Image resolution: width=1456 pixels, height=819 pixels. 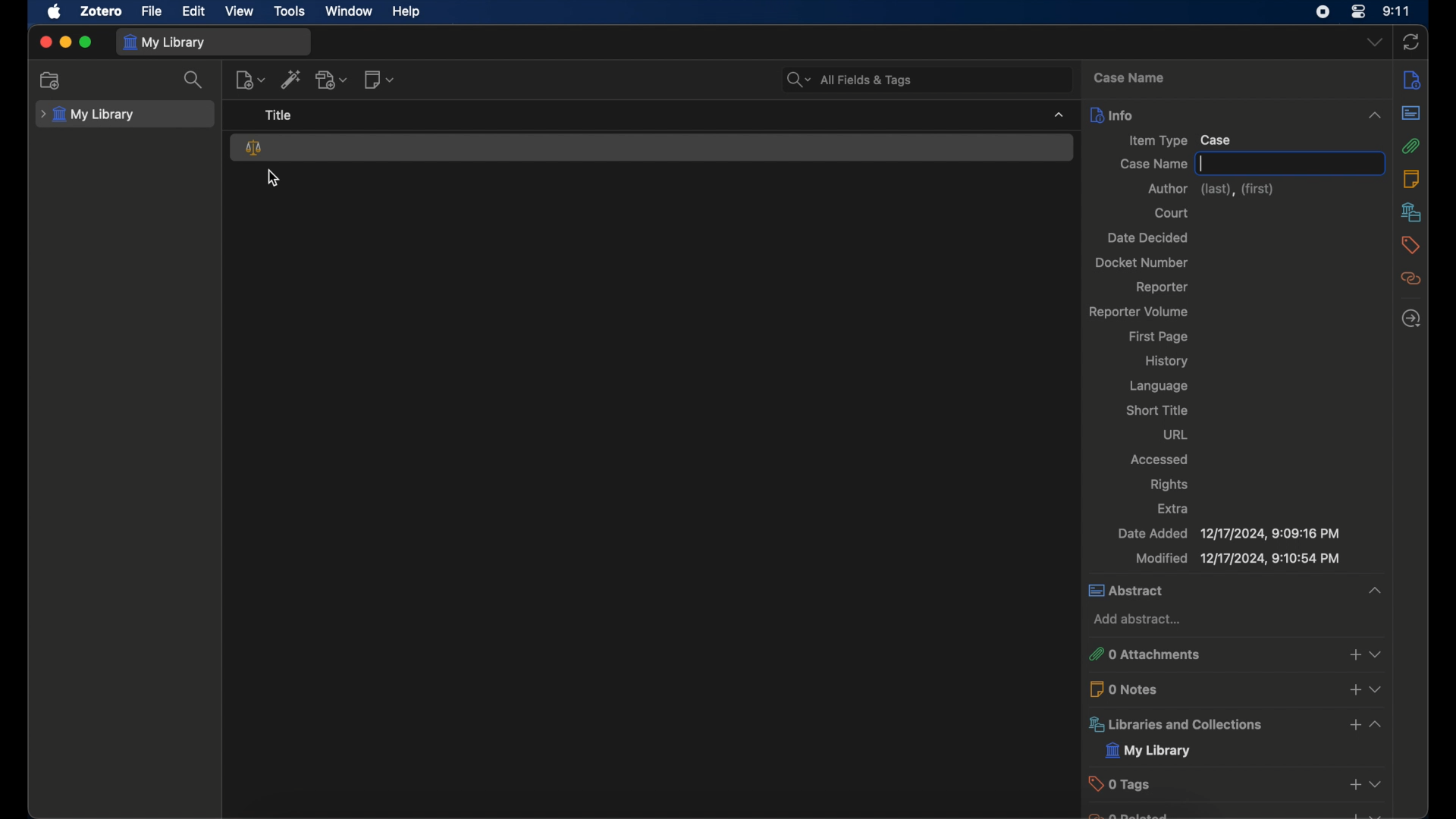 I want to click on author, so click(x=1212, y=189).